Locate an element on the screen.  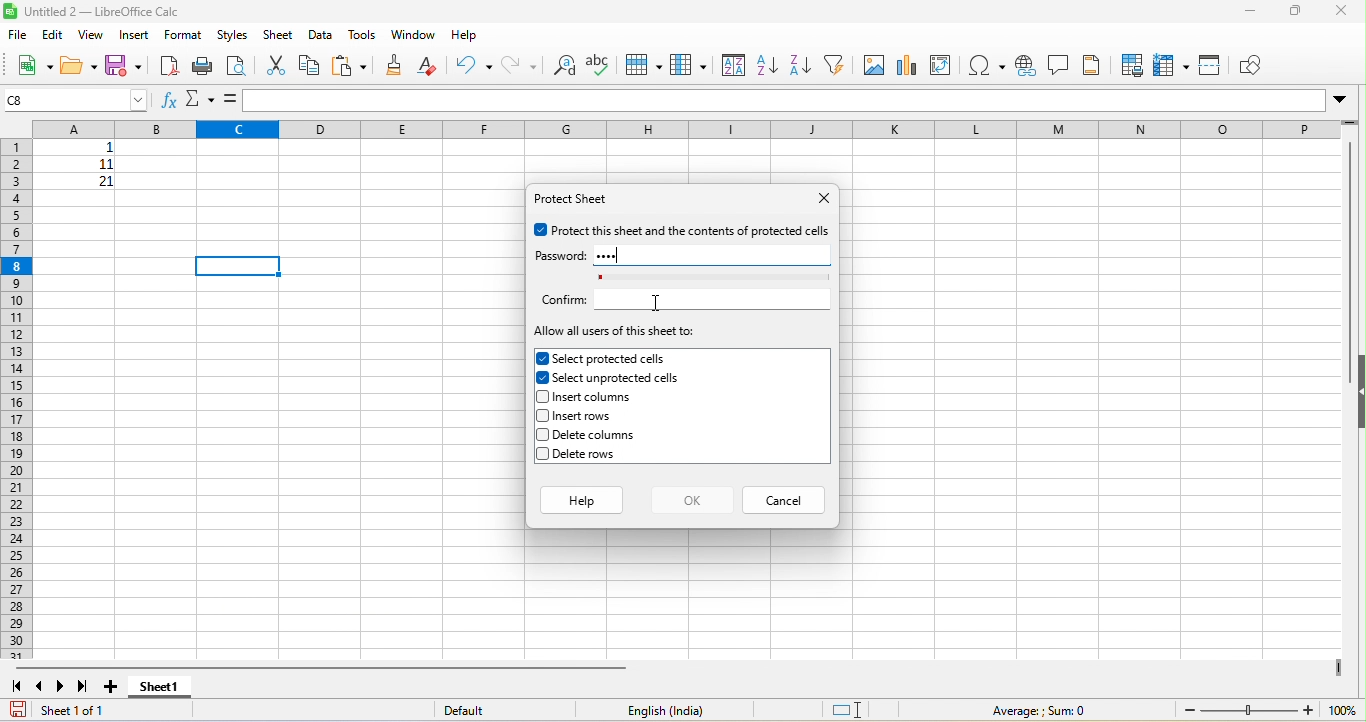
insert rows is located at coordinates (610, 416).